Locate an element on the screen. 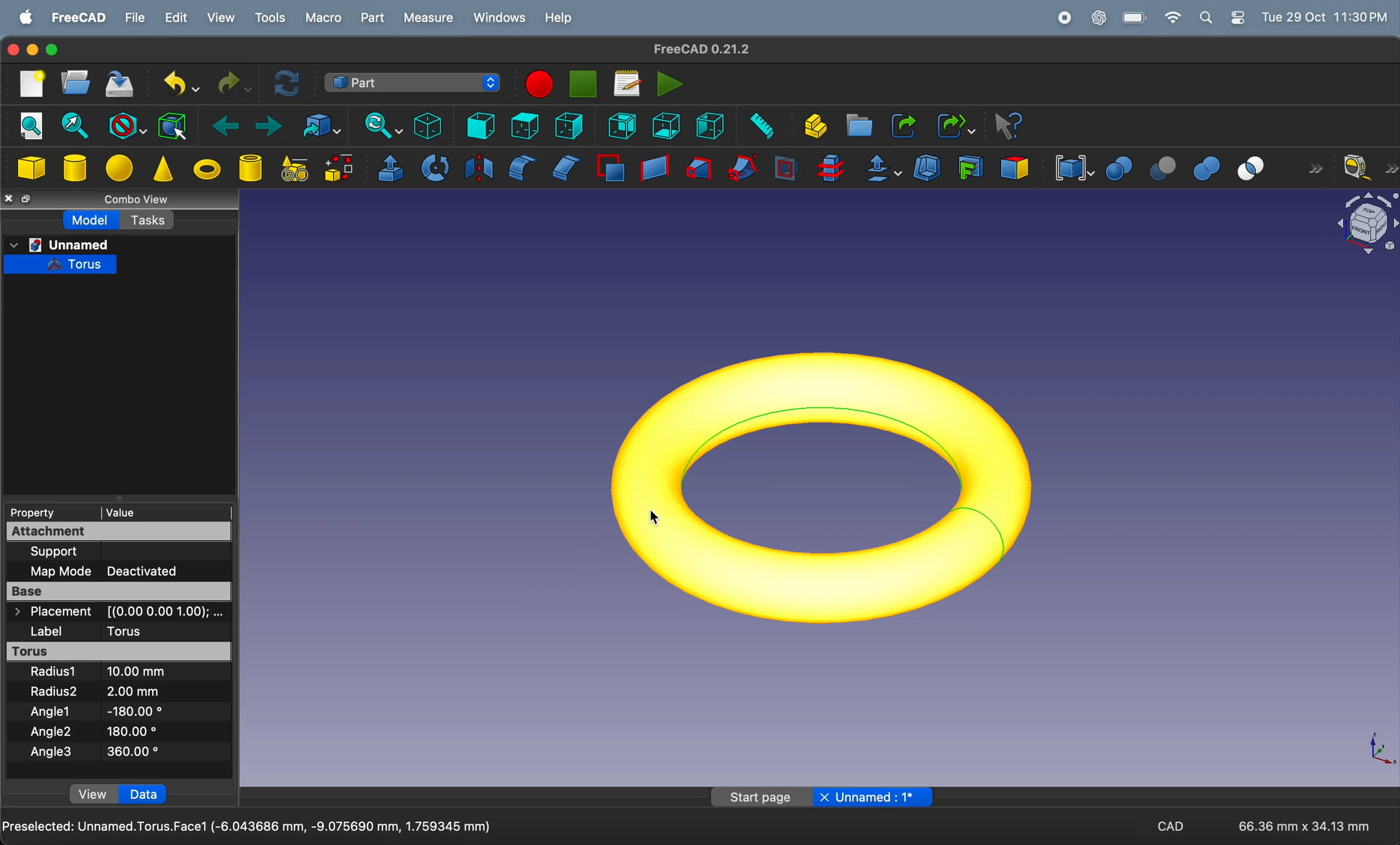 The width and height of the screenshot is (1400, 845). unamed is located at coordinates (60, 245).